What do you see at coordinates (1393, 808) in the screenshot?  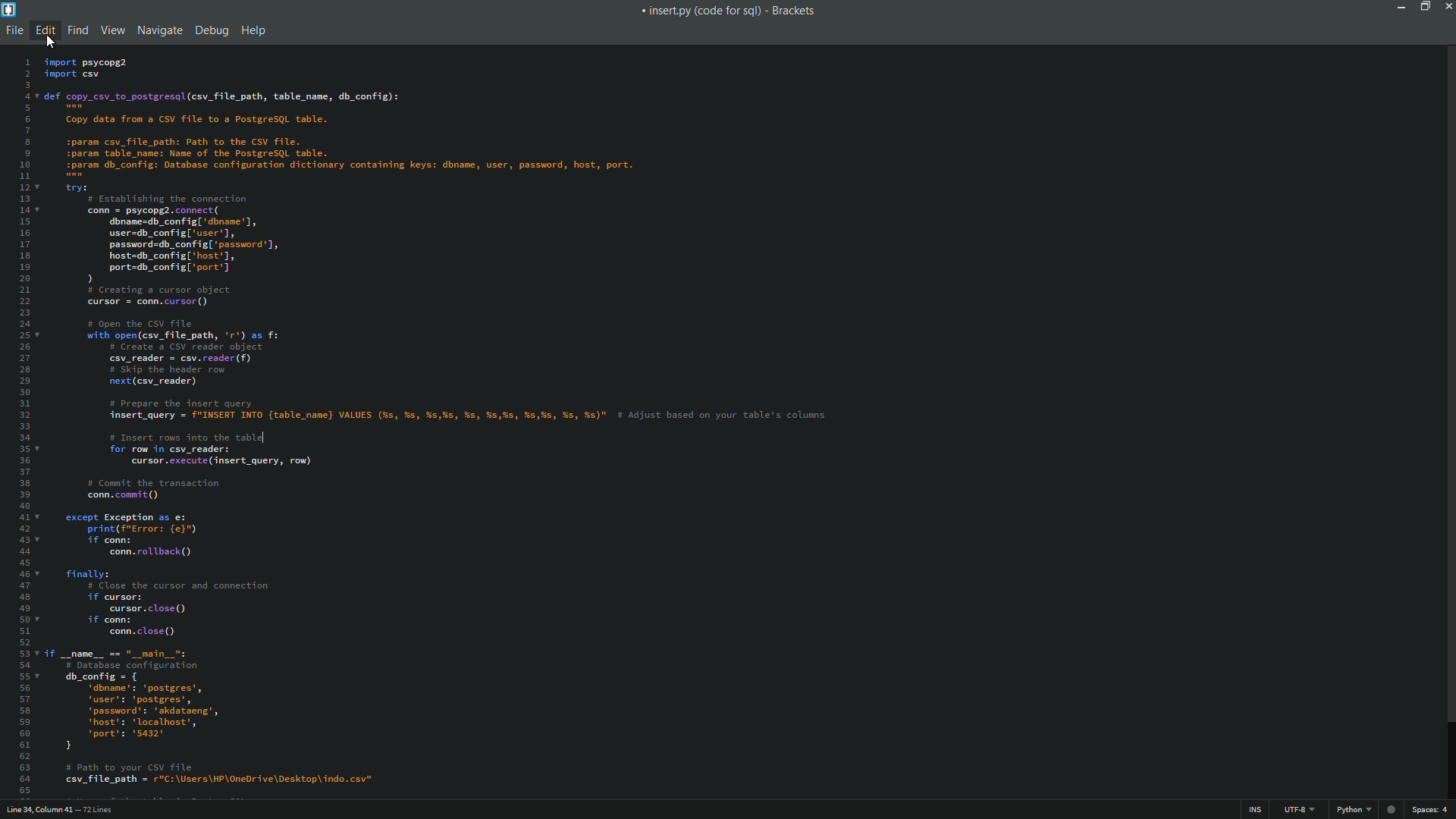 I see `web` at bounding box center [1393, 808].